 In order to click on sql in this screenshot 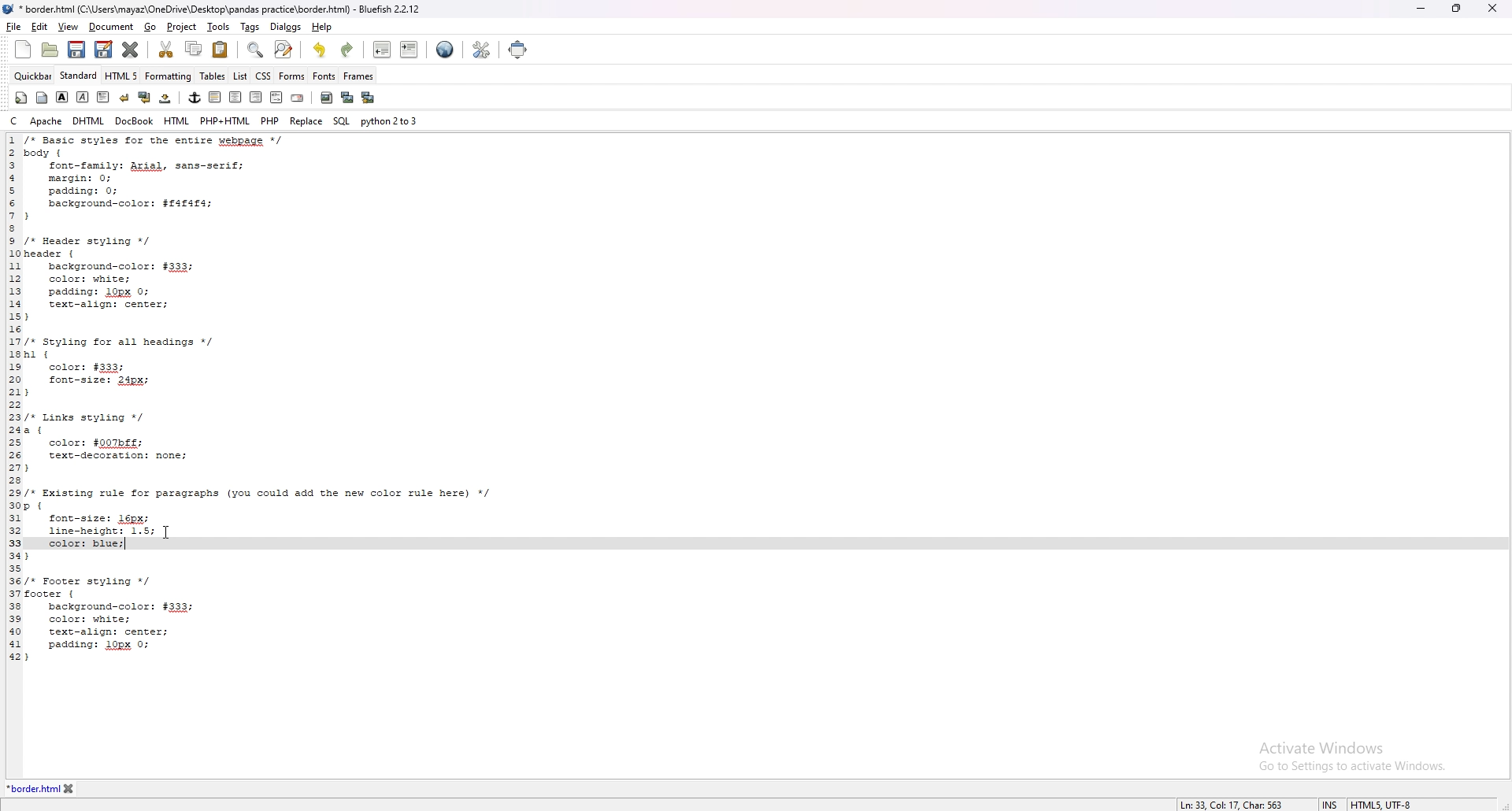, I will do `click(342, 120)`.